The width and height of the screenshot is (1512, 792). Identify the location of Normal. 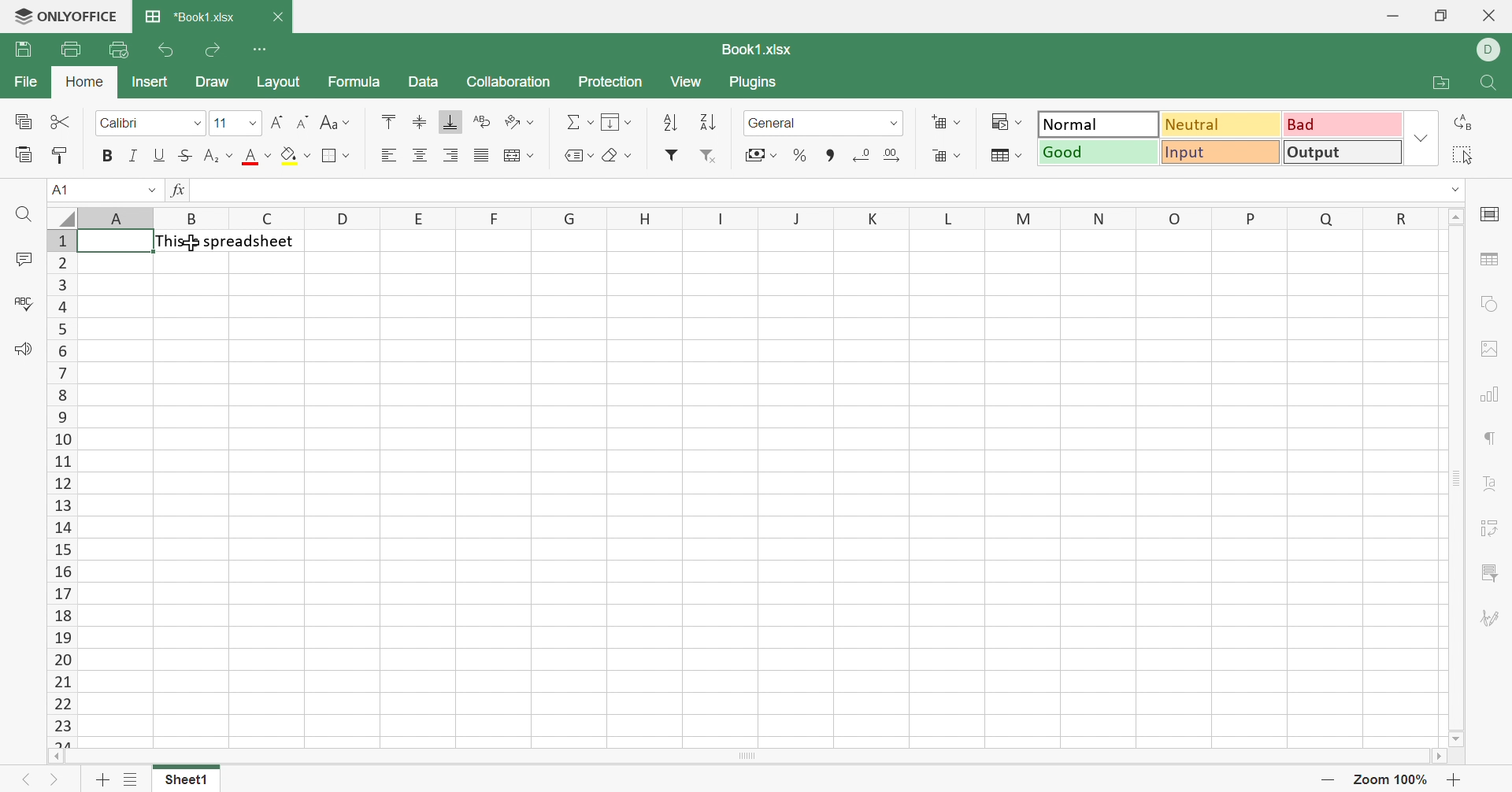
(1100, 124).